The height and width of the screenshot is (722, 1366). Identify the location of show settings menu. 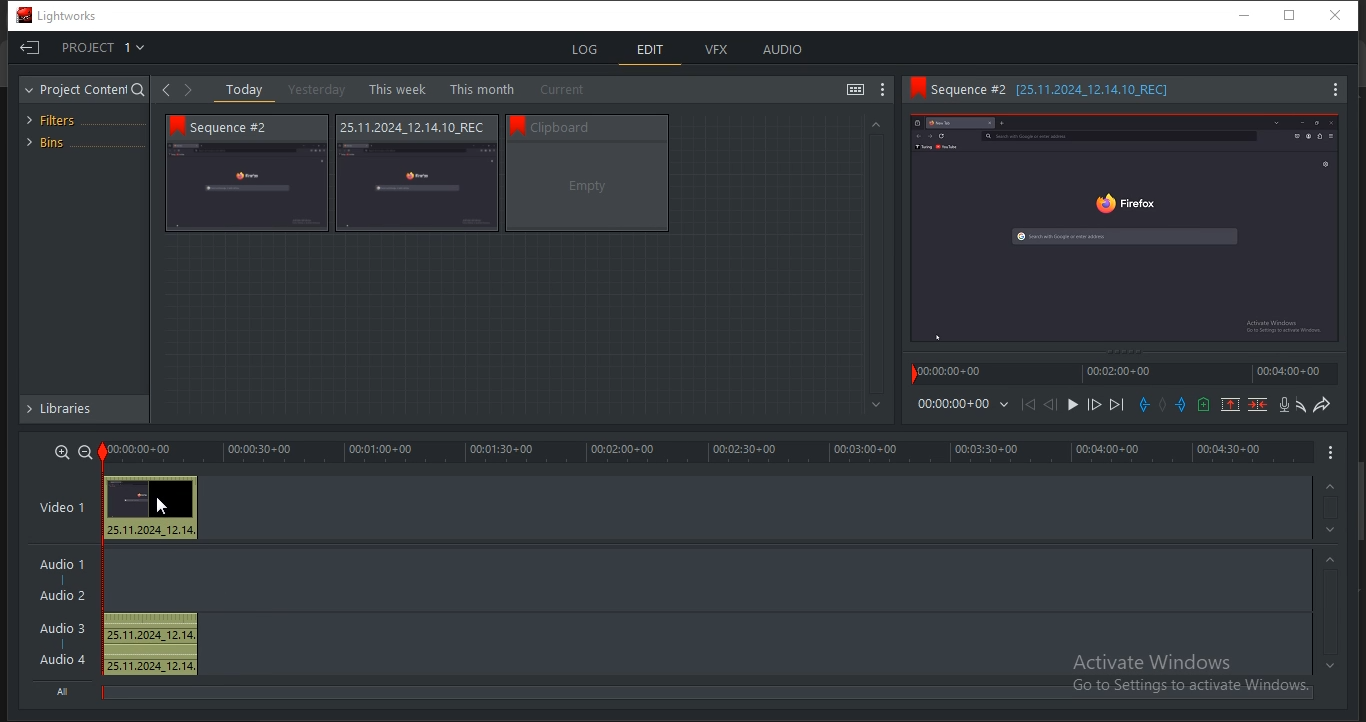
(883, 90).